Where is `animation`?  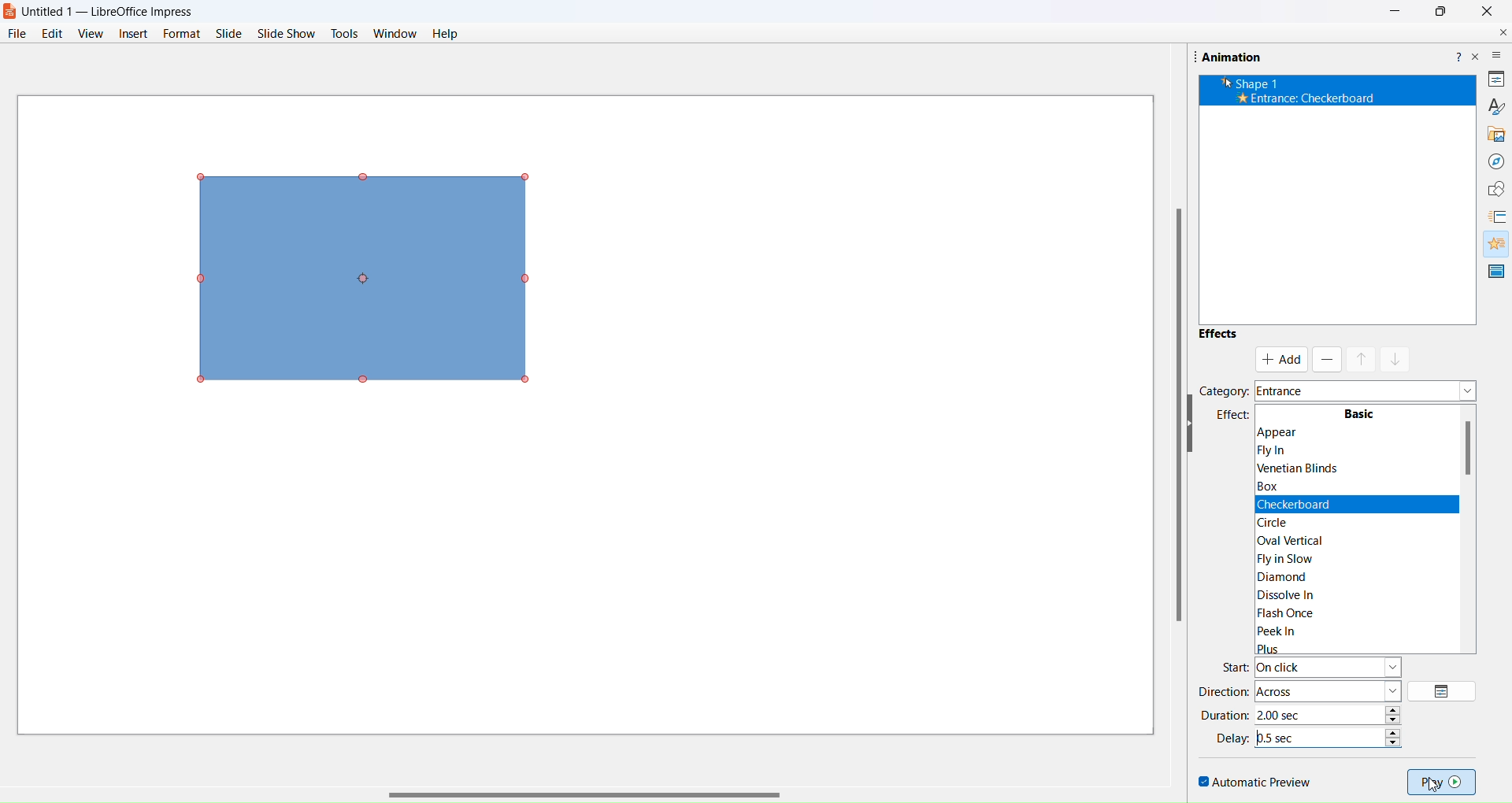
animation is located at coordinates (1493, 243).